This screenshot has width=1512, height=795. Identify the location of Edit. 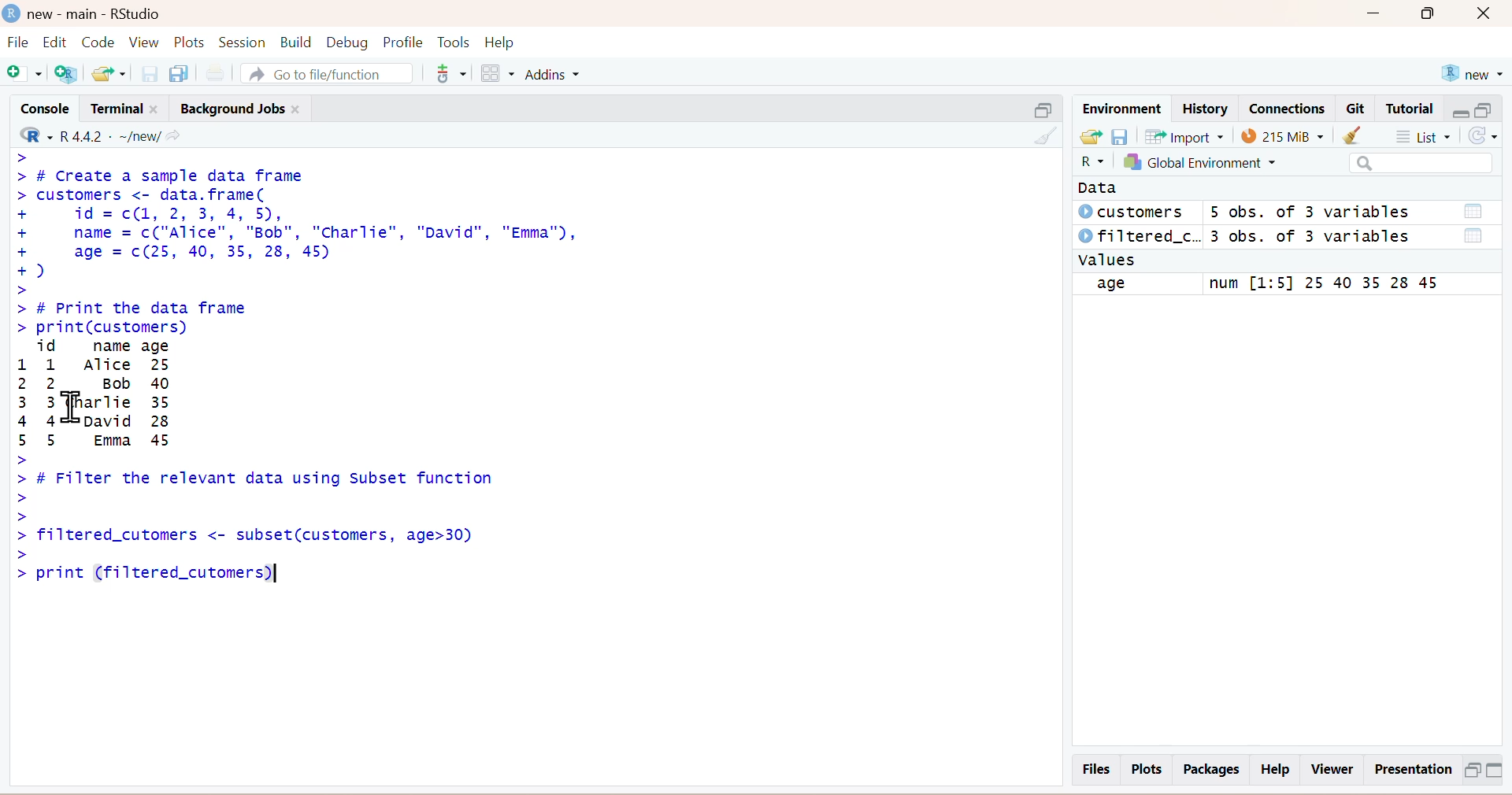
(57, 42).